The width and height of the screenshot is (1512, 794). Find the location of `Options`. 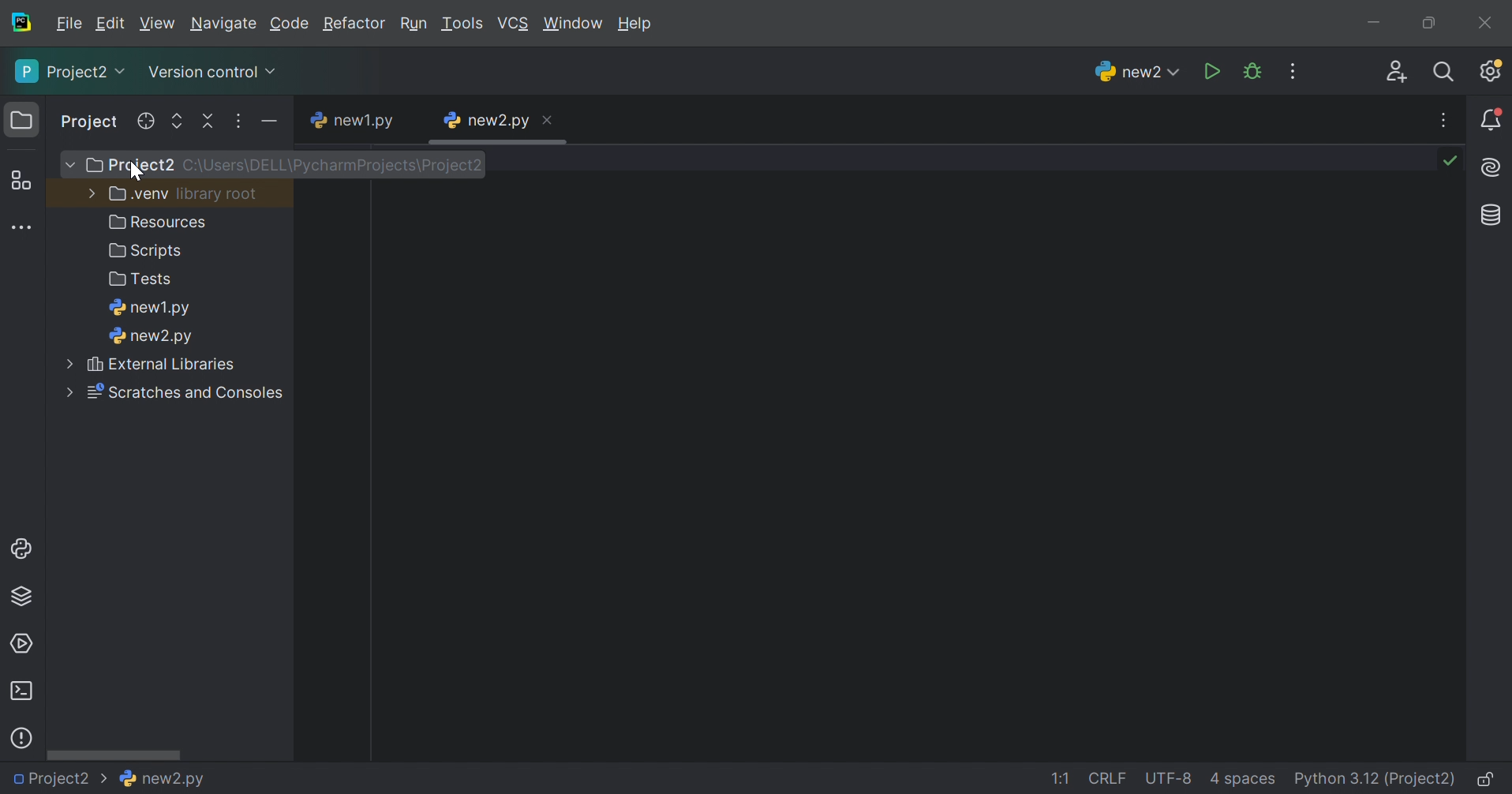

Options is located at coordinates (239, 122).